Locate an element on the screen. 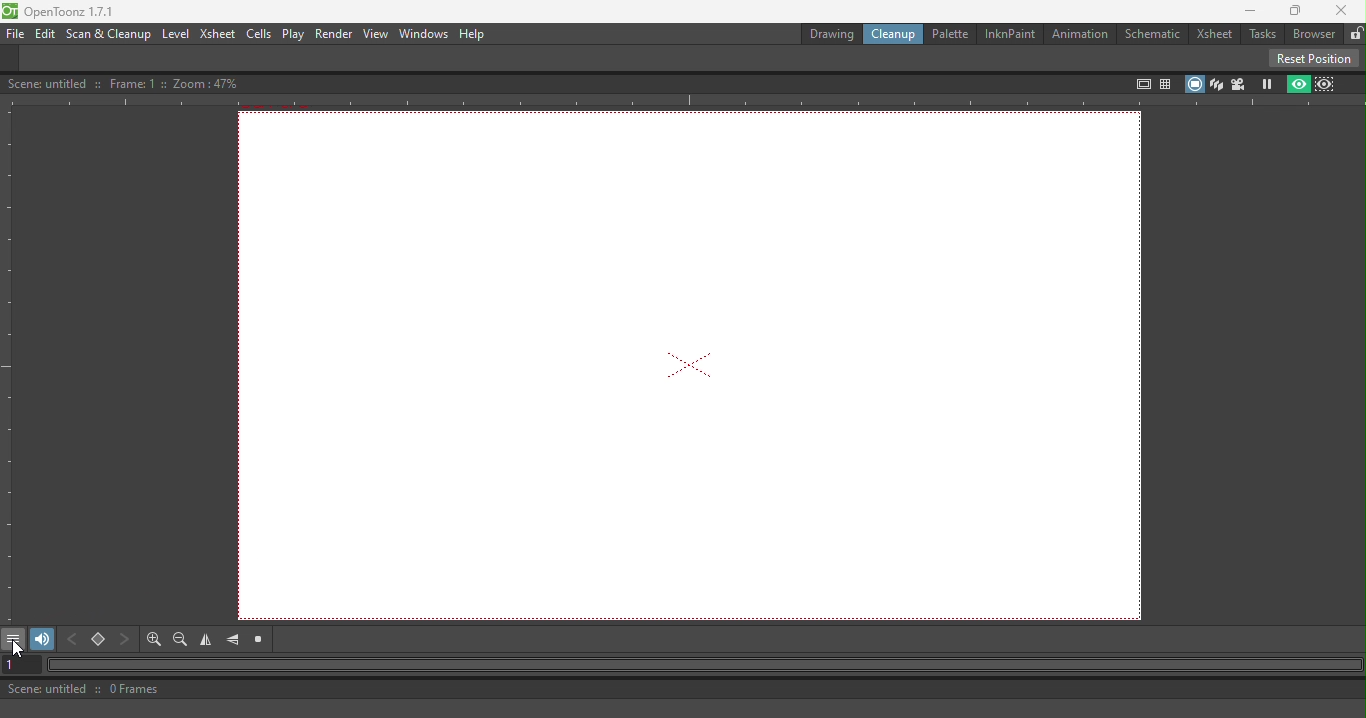  Scan & Cleanup is located at coordinates (109, 35).